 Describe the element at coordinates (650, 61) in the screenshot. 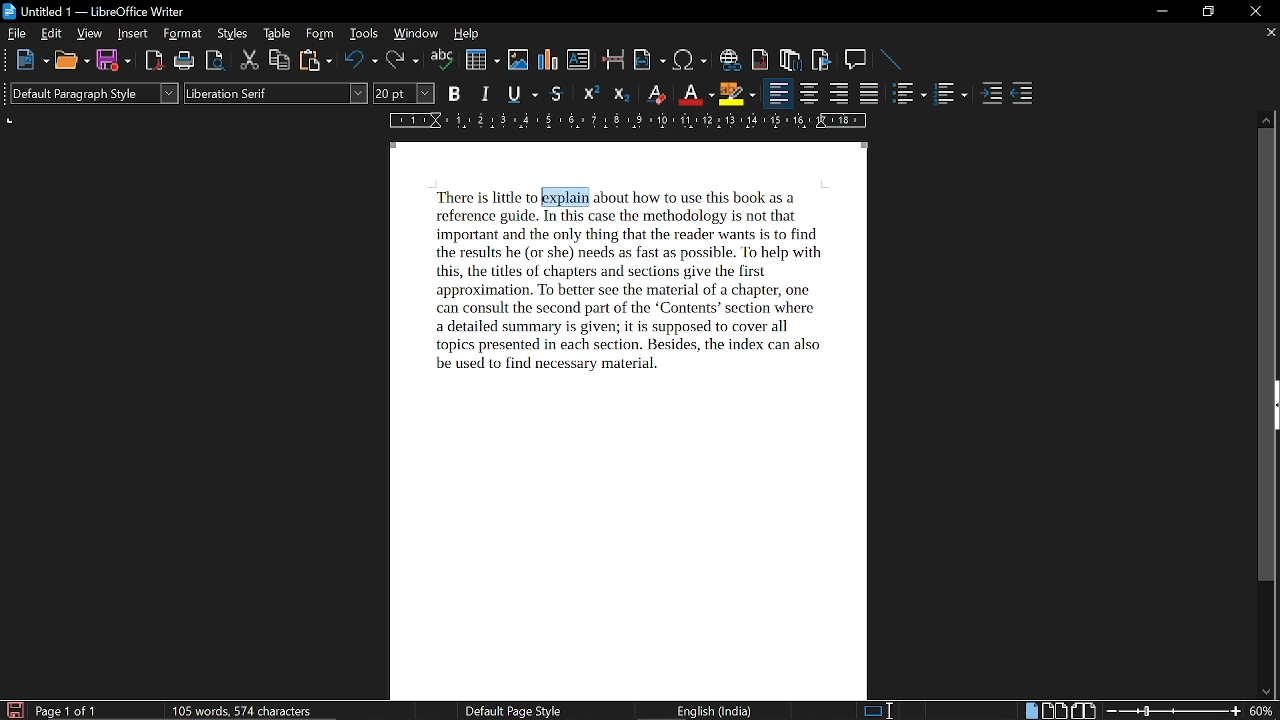

I see `insert field` at that location.